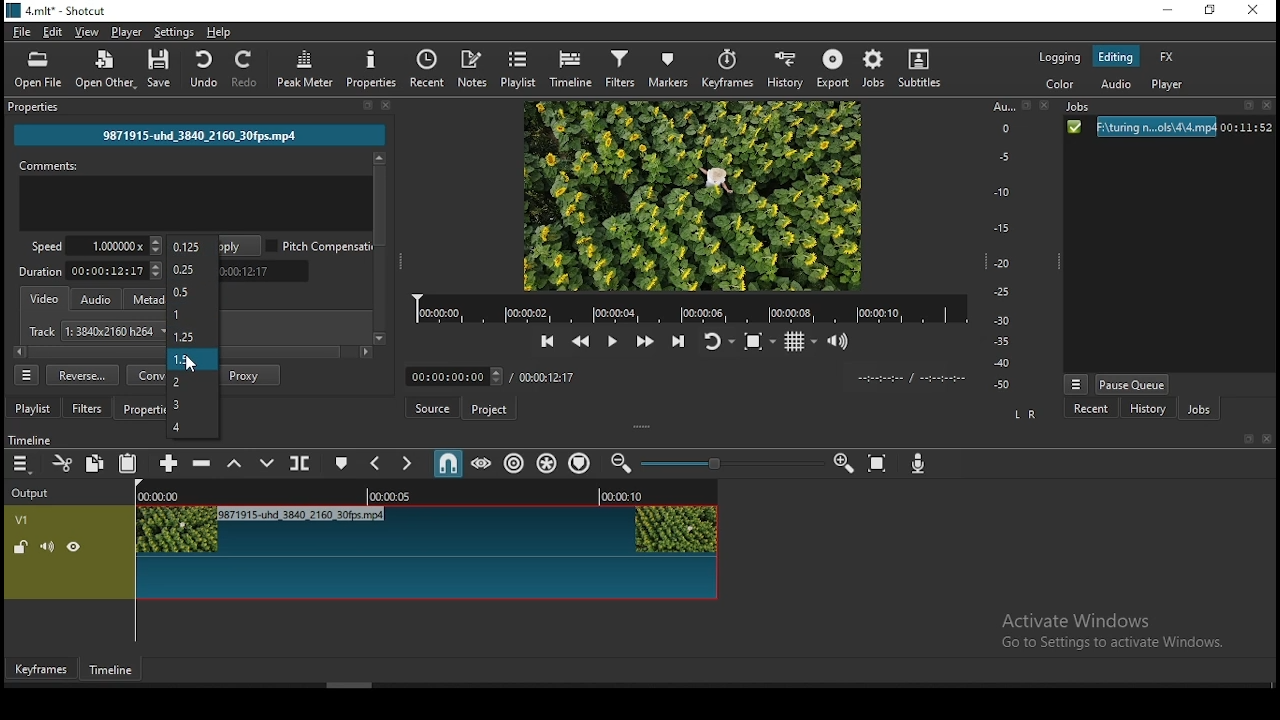 This screenshot has width=1280, height=720. What do you see at coordinates (623, 67) in the screenshot?
I see `filters` at bounding box center [623, 67].